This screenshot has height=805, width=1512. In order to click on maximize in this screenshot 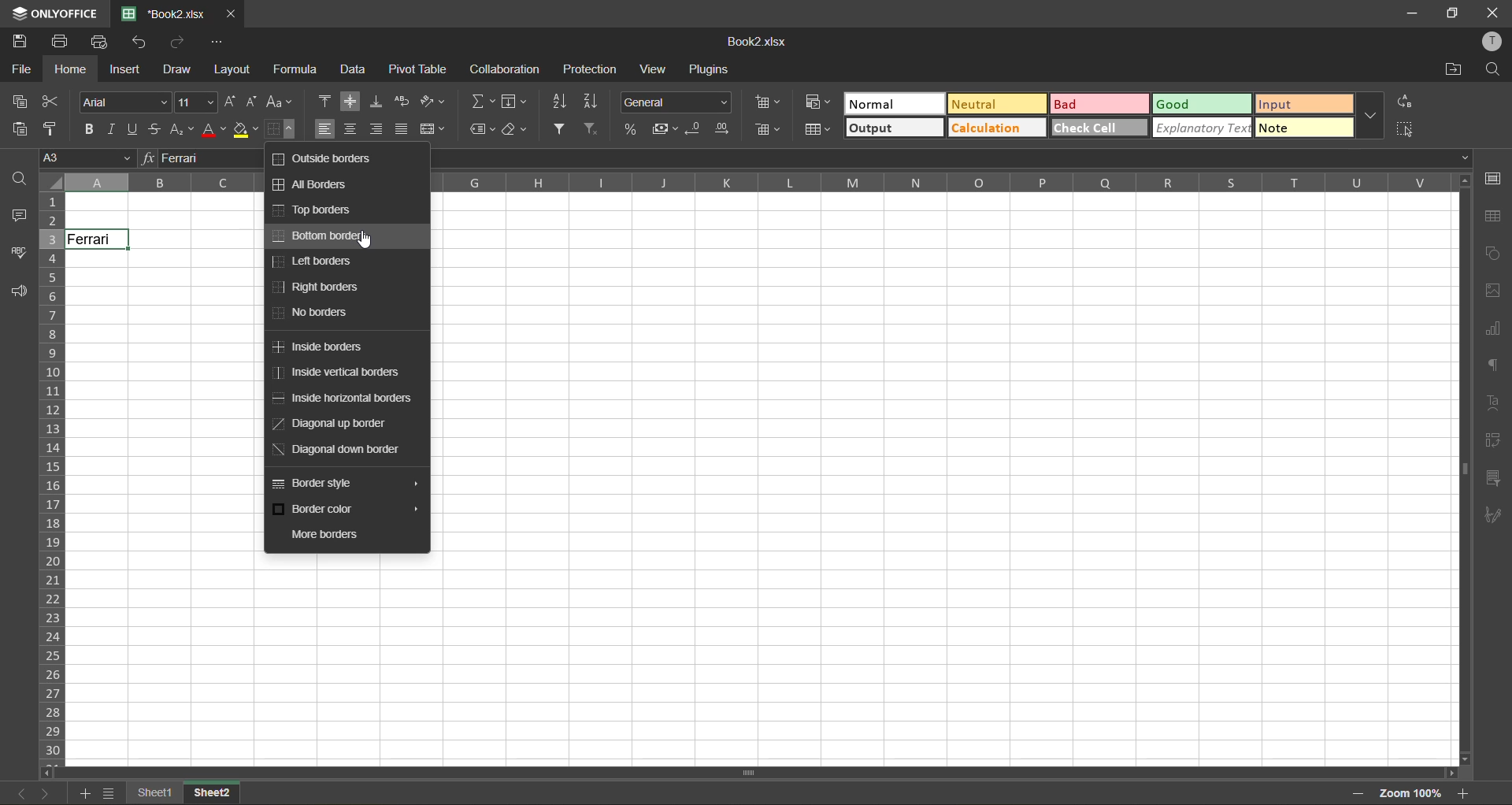, I will do `click(1448, 13)`.